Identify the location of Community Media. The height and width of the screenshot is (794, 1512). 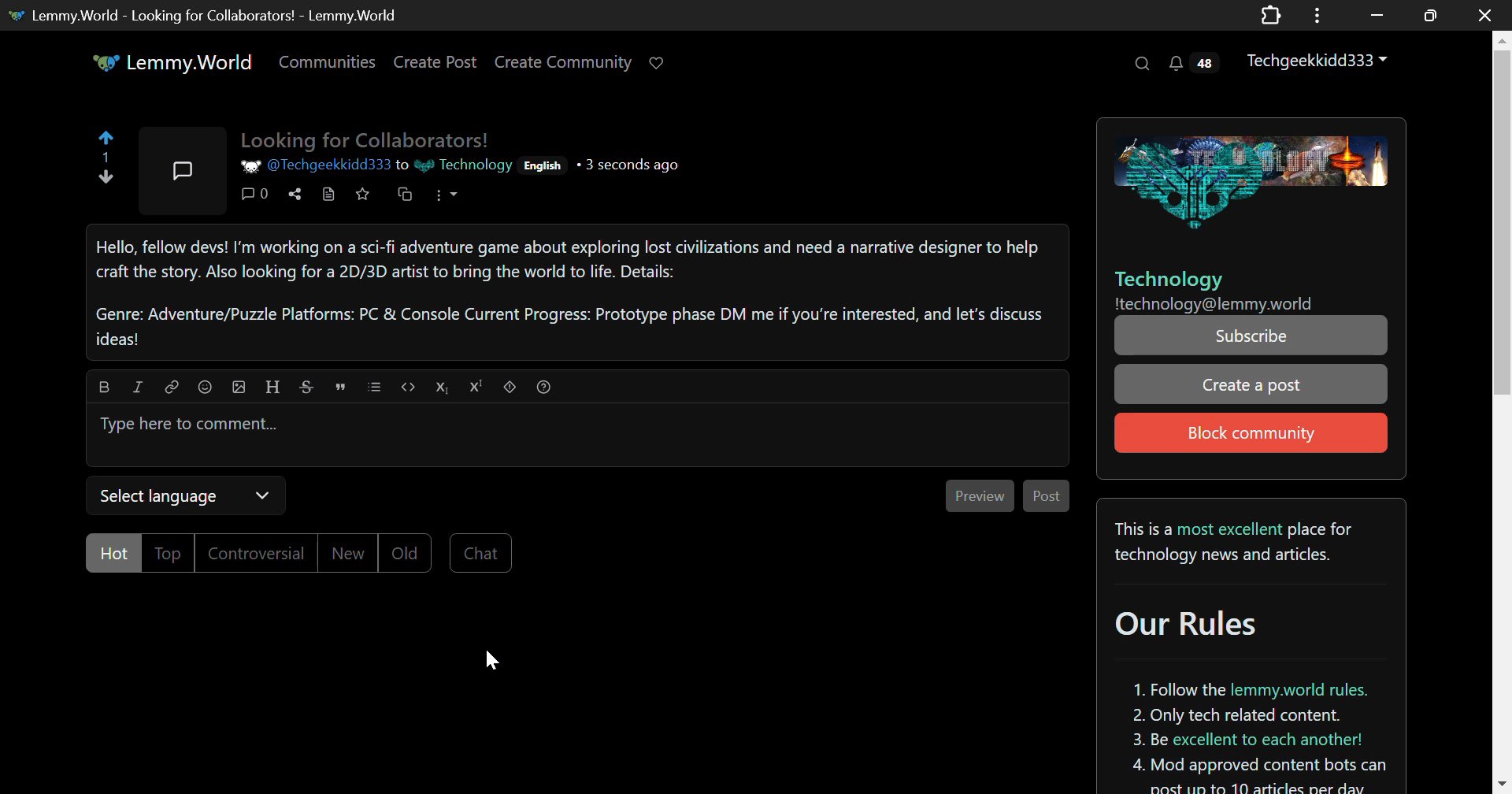
(1248, 180).